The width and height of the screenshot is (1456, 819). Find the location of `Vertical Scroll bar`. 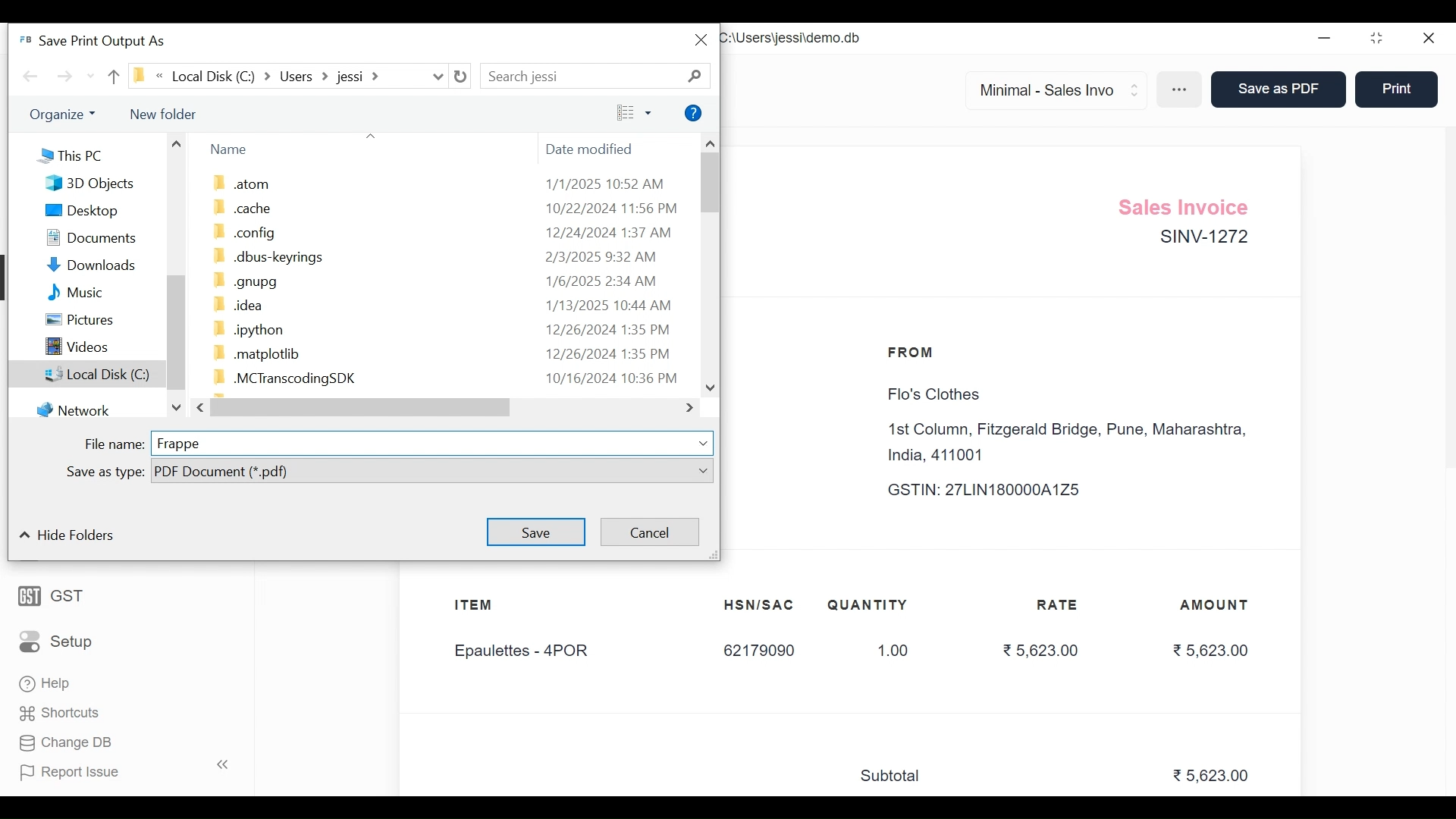

Vertical Scroll bar is located at coordinates (175, 331).